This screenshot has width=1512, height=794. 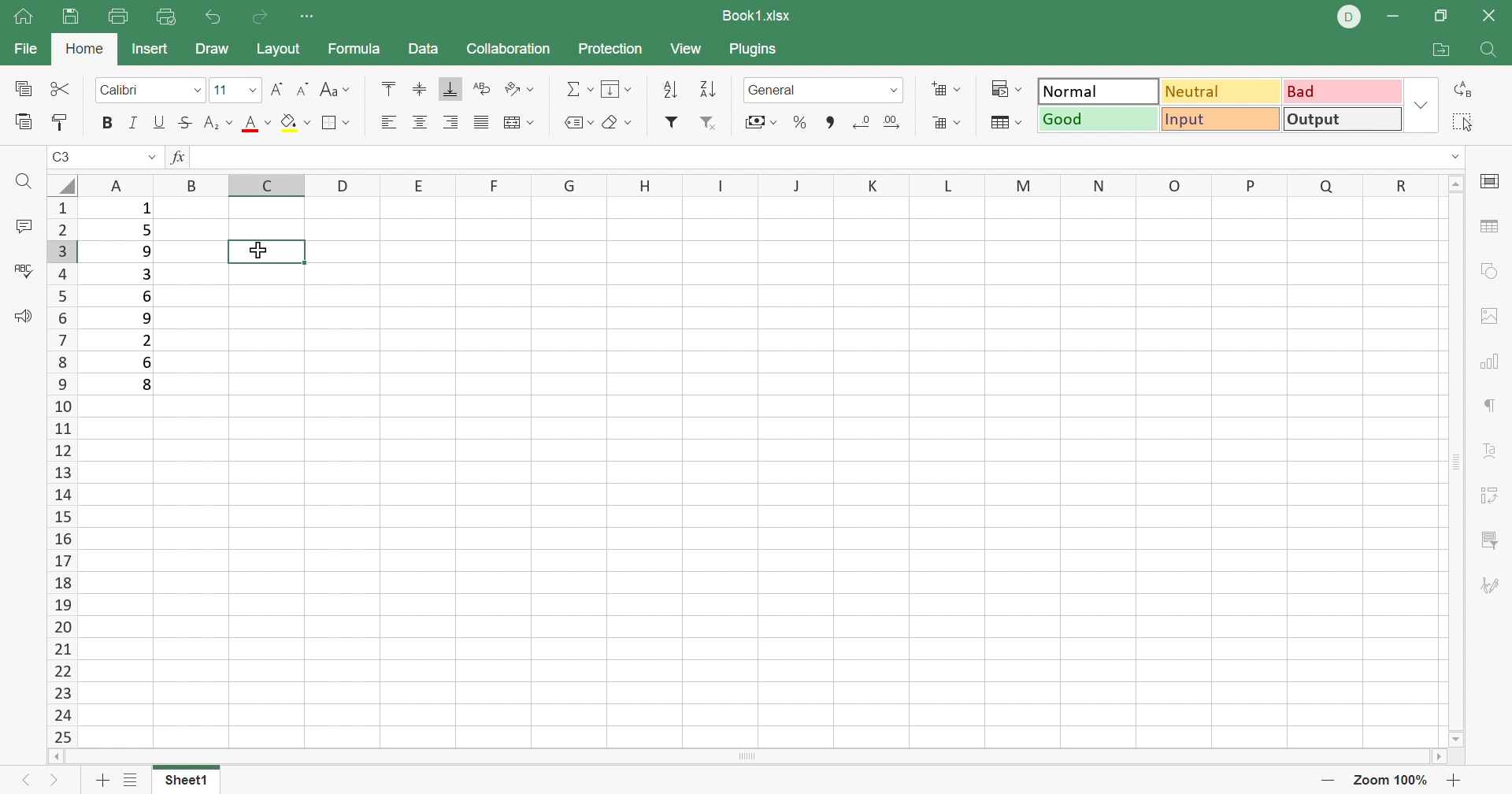 What do you see at coordinates (75, 17) in the screenshot?
I see `Save` at bounding box center [75, 17].